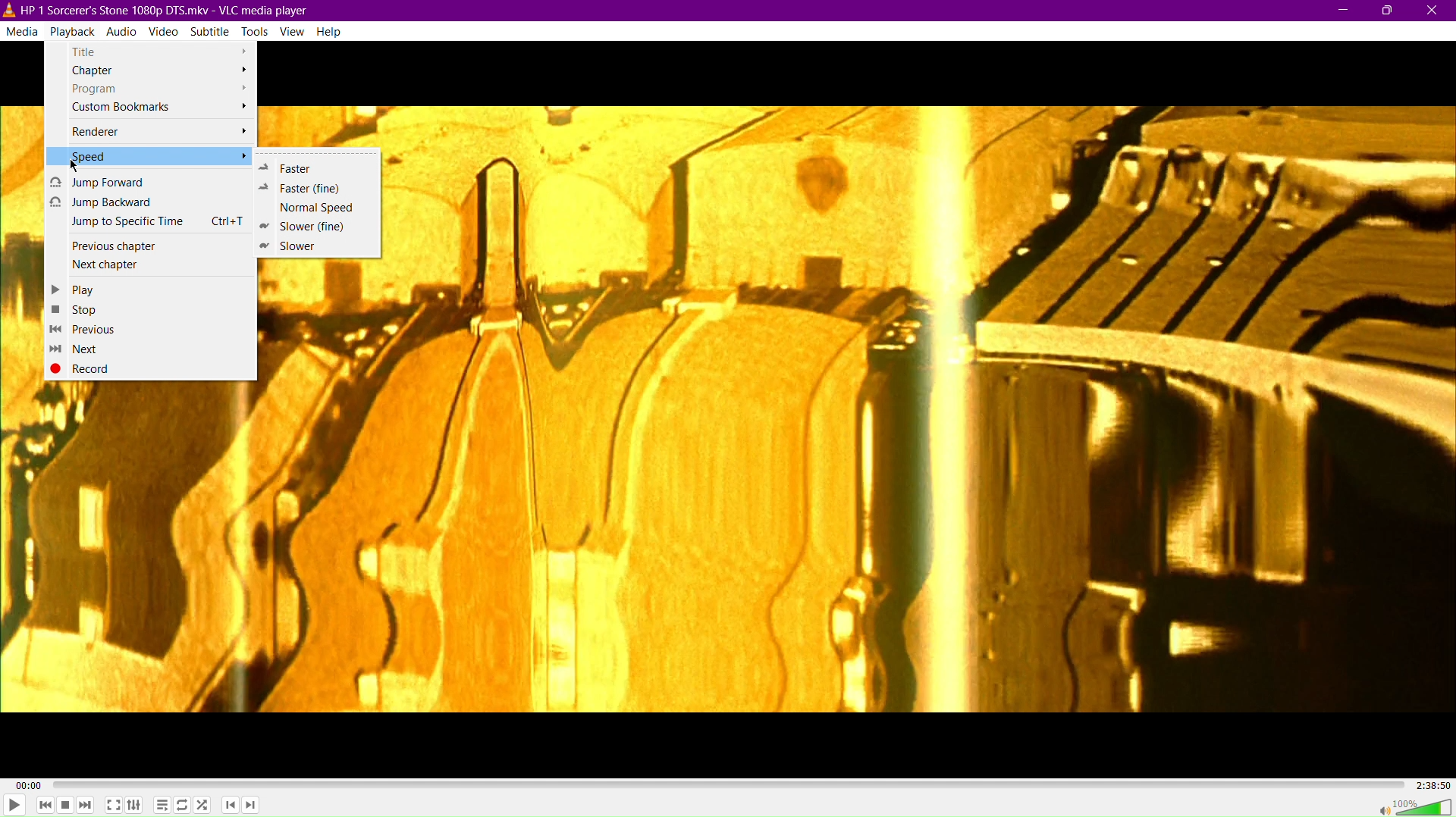 The height and width of the screenshot is (817, 1456). What do you see at coordinates (91, 368) in the screenshot?
I see `Record` at bounding box center [91, 368].